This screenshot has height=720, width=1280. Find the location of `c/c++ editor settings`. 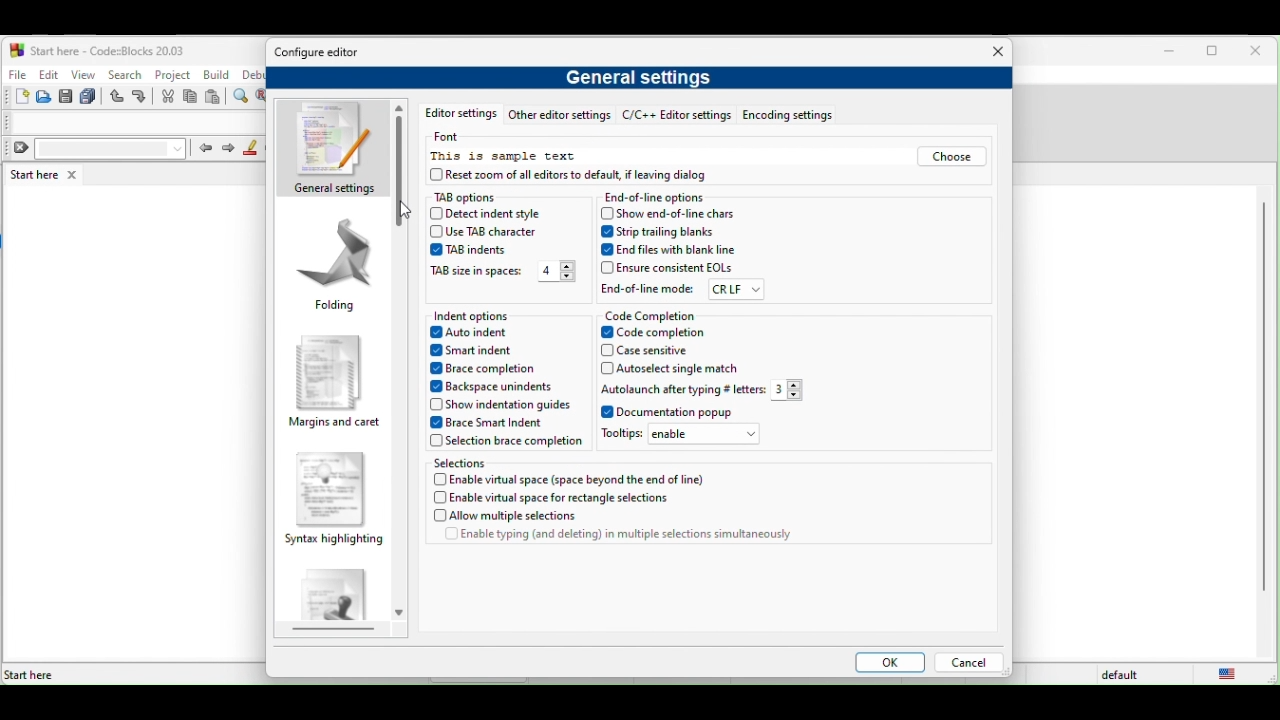

c/c++ editor settings is located at coordinates (676, 117).